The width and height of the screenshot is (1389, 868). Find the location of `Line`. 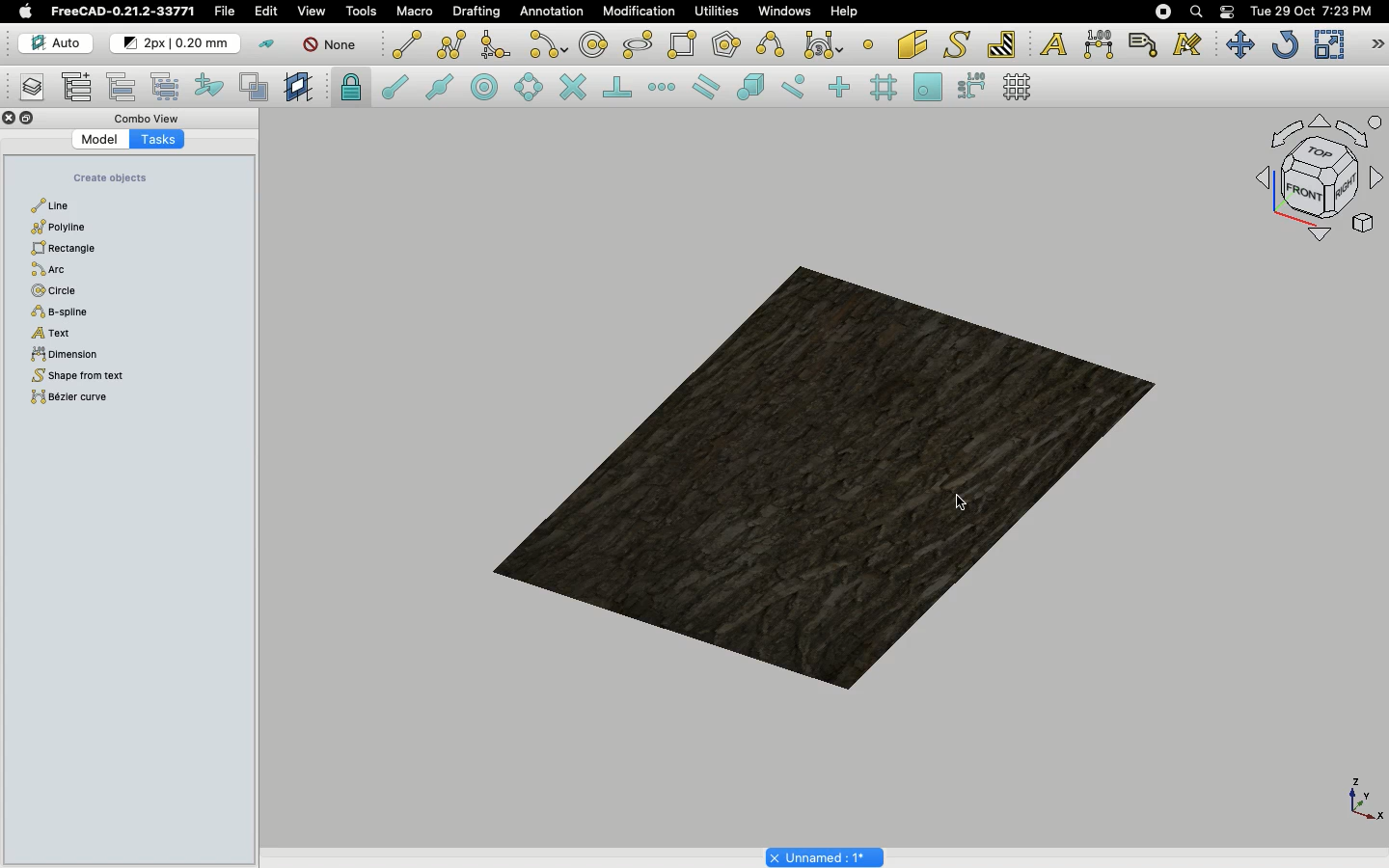

Line is located at coordinates (404, 44).